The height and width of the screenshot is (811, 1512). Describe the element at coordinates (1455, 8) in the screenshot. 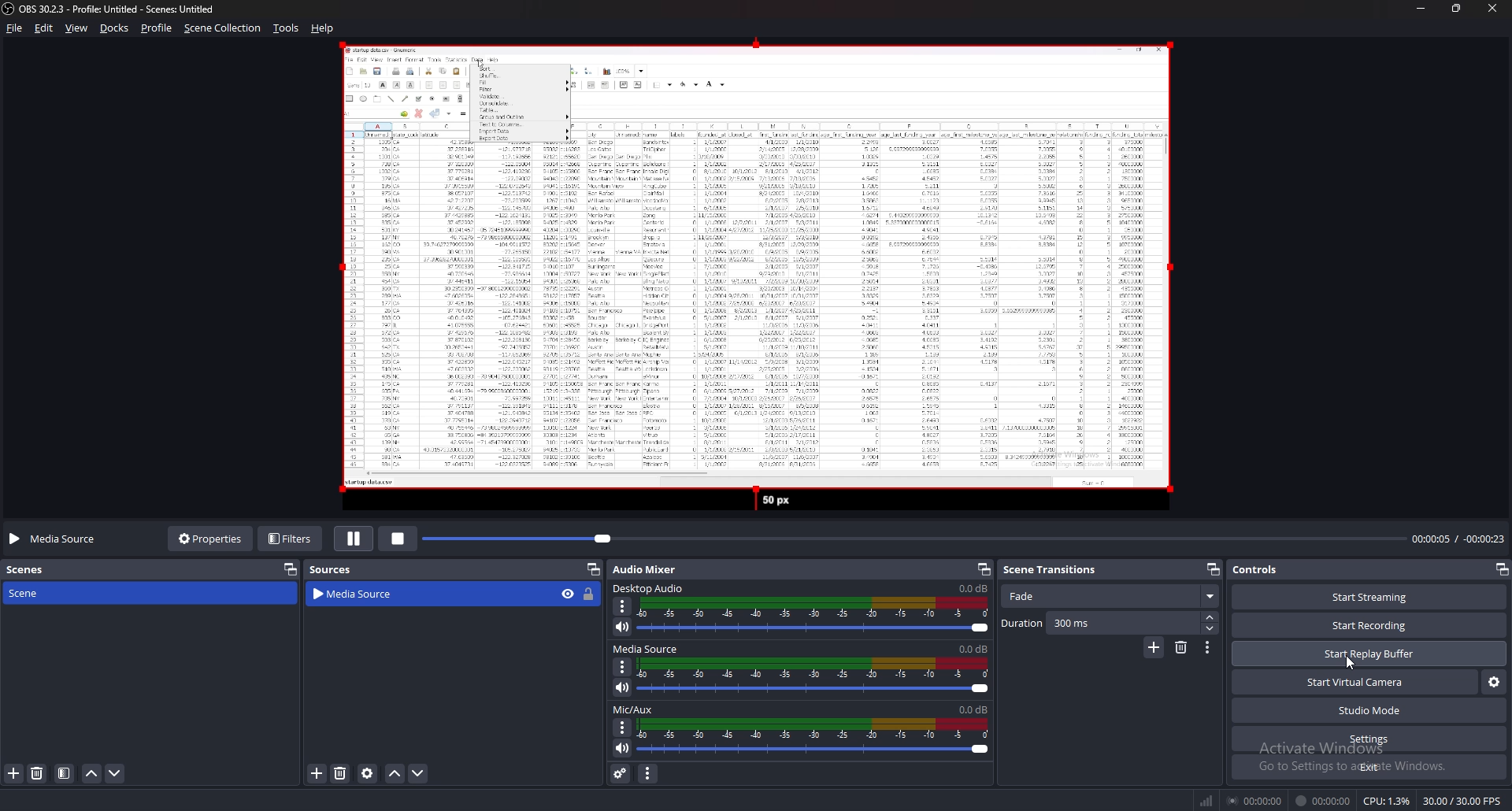

I see `resize` at that location.